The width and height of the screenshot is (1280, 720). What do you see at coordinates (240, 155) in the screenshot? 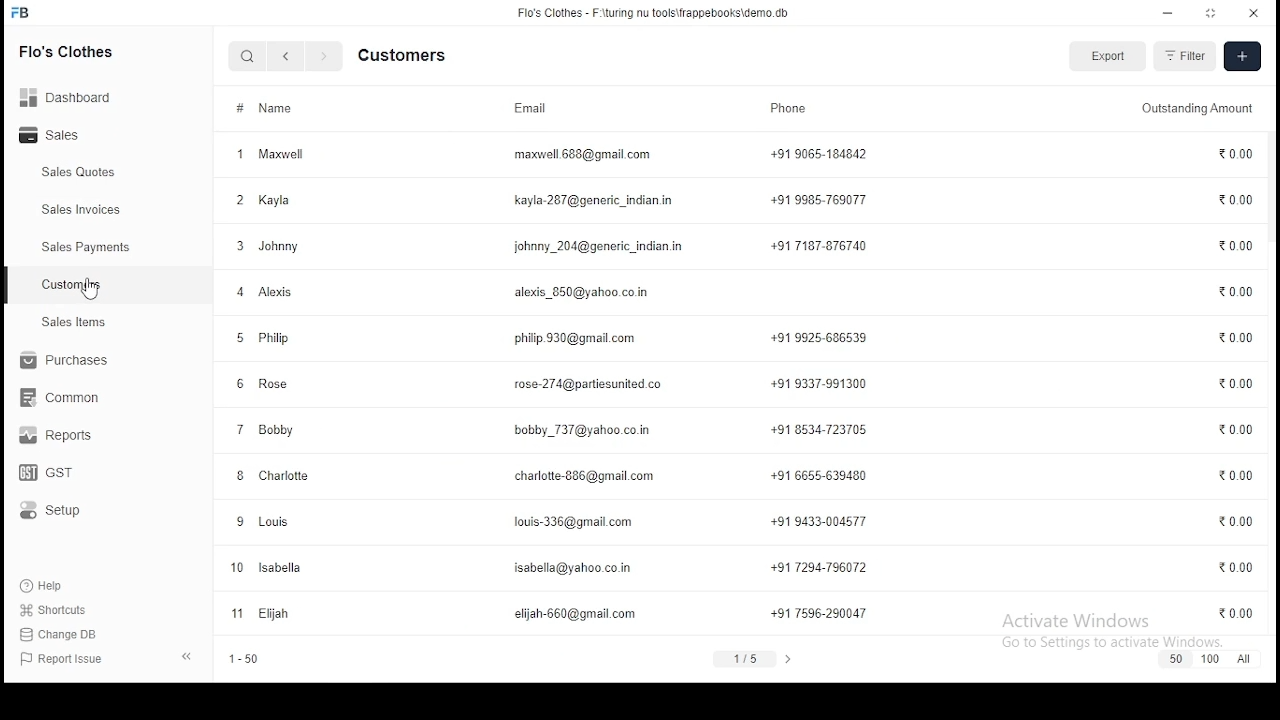
I see `1` at bounding box center [240, 155].